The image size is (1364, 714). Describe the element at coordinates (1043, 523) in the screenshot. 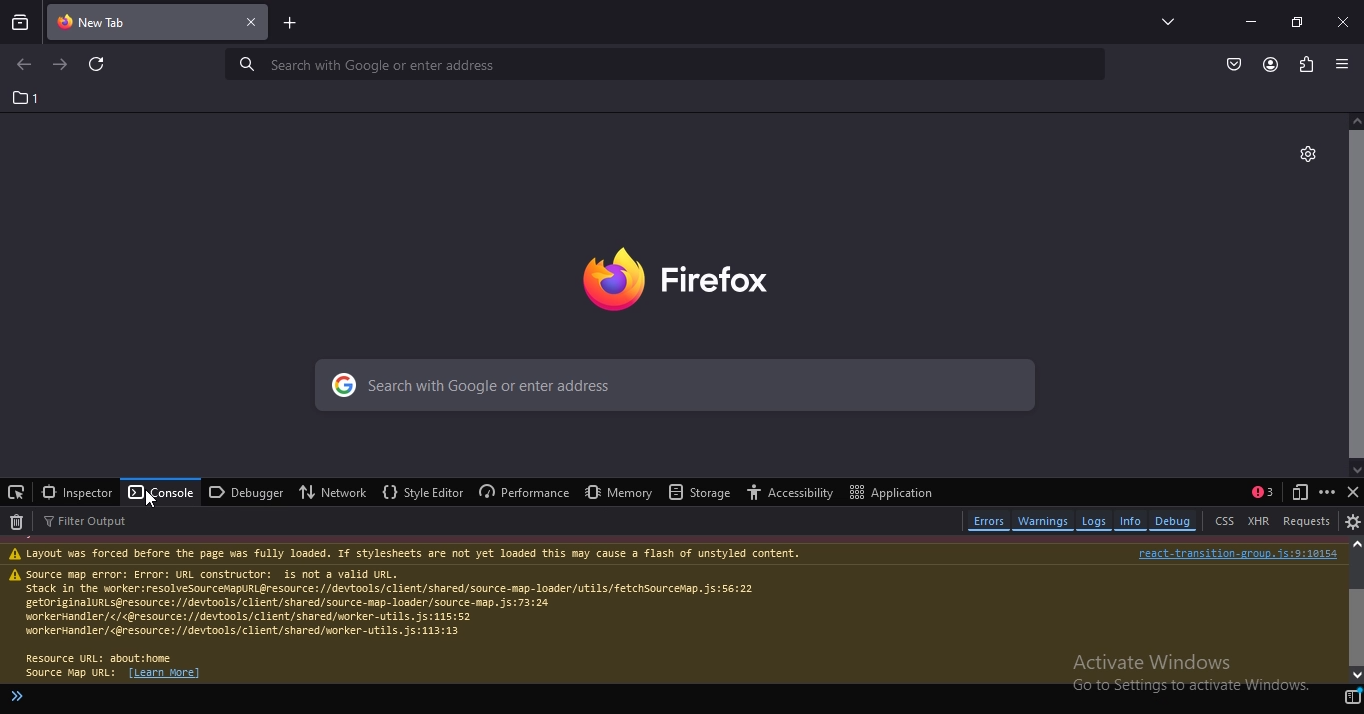

I see `warnings` at that location.